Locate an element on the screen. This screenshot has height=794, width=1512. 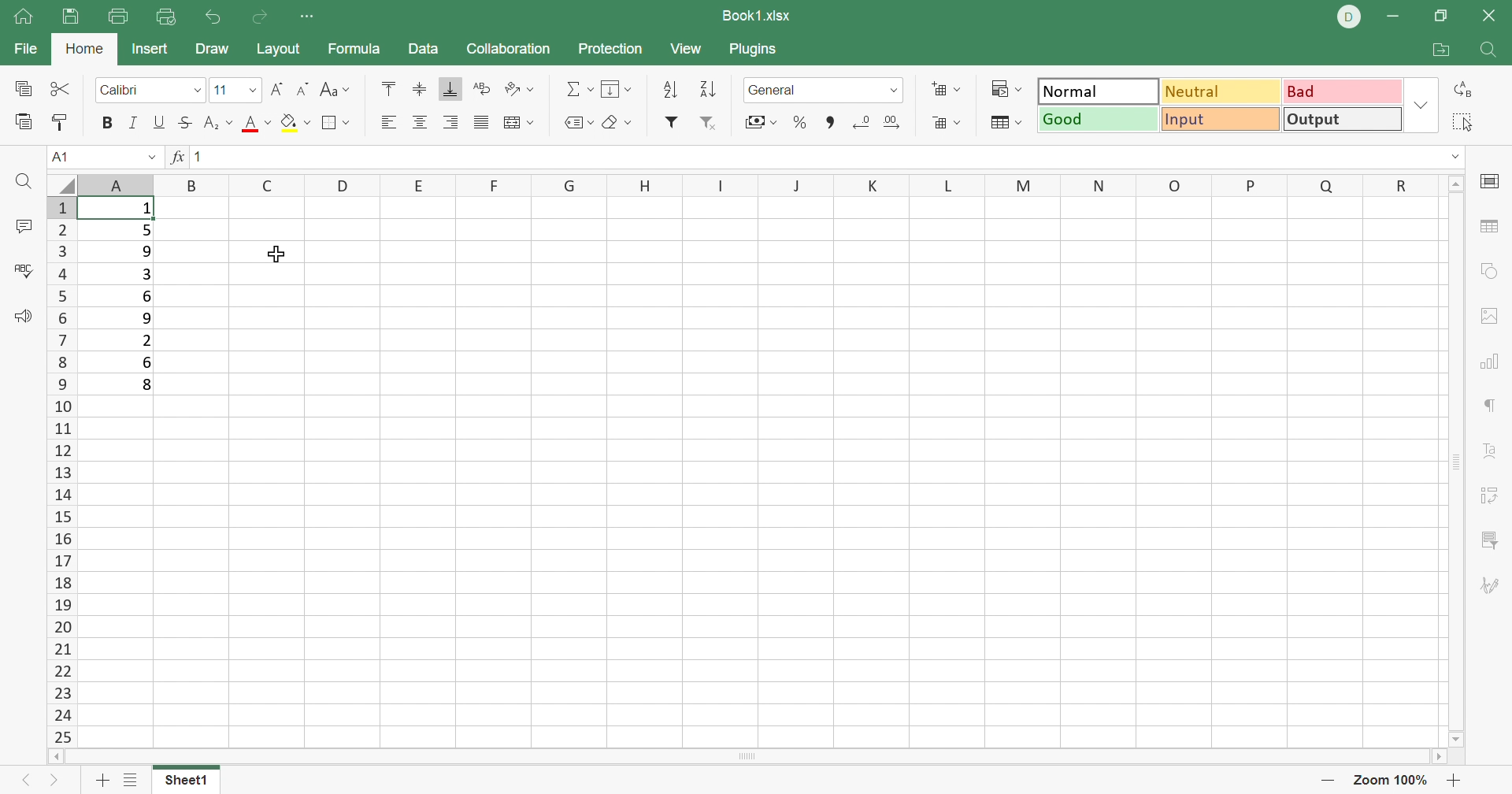
table settings is located at coordinates (1492, 225).